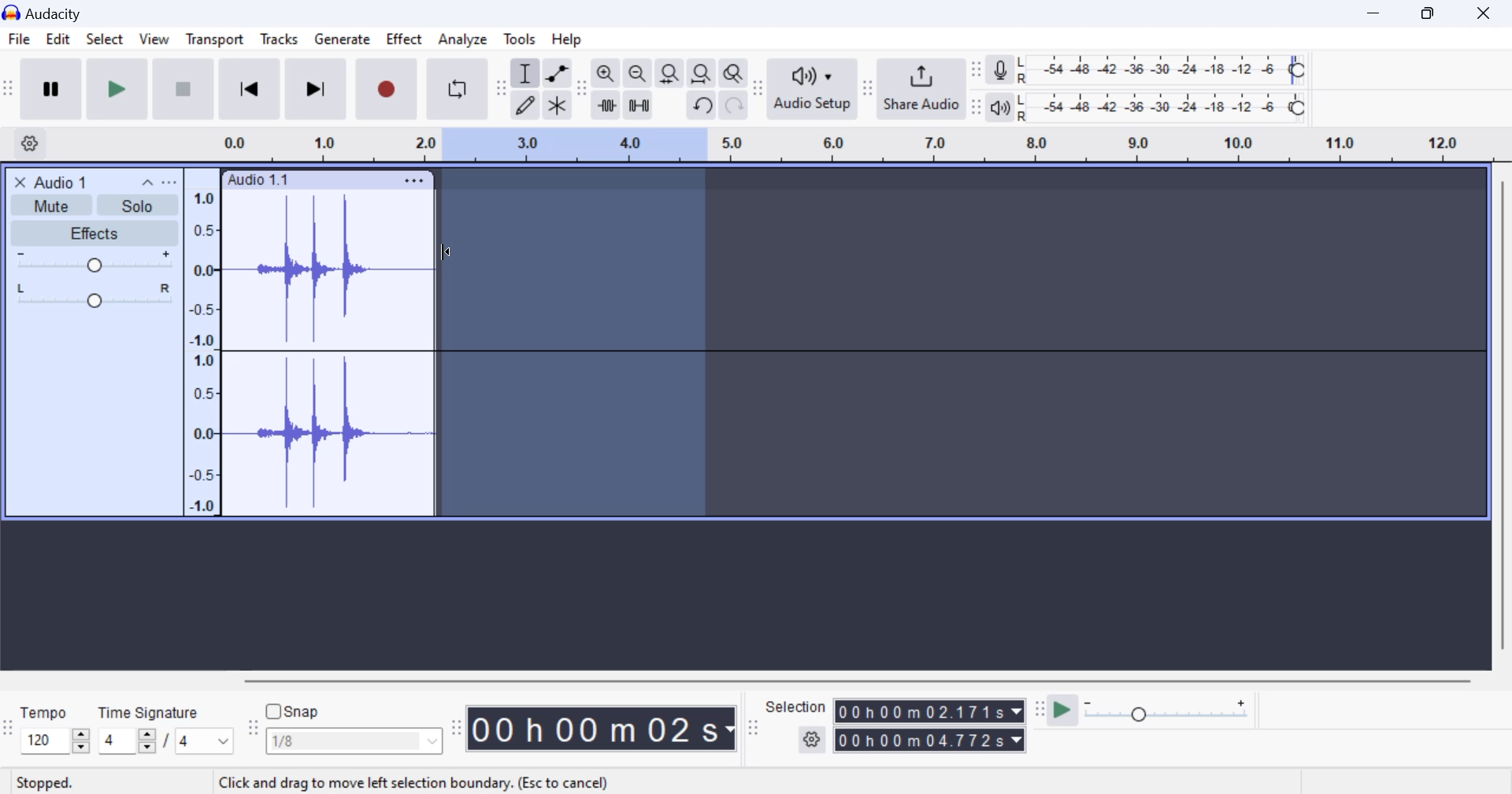  I want to click on zoom out, so click(637, 75).